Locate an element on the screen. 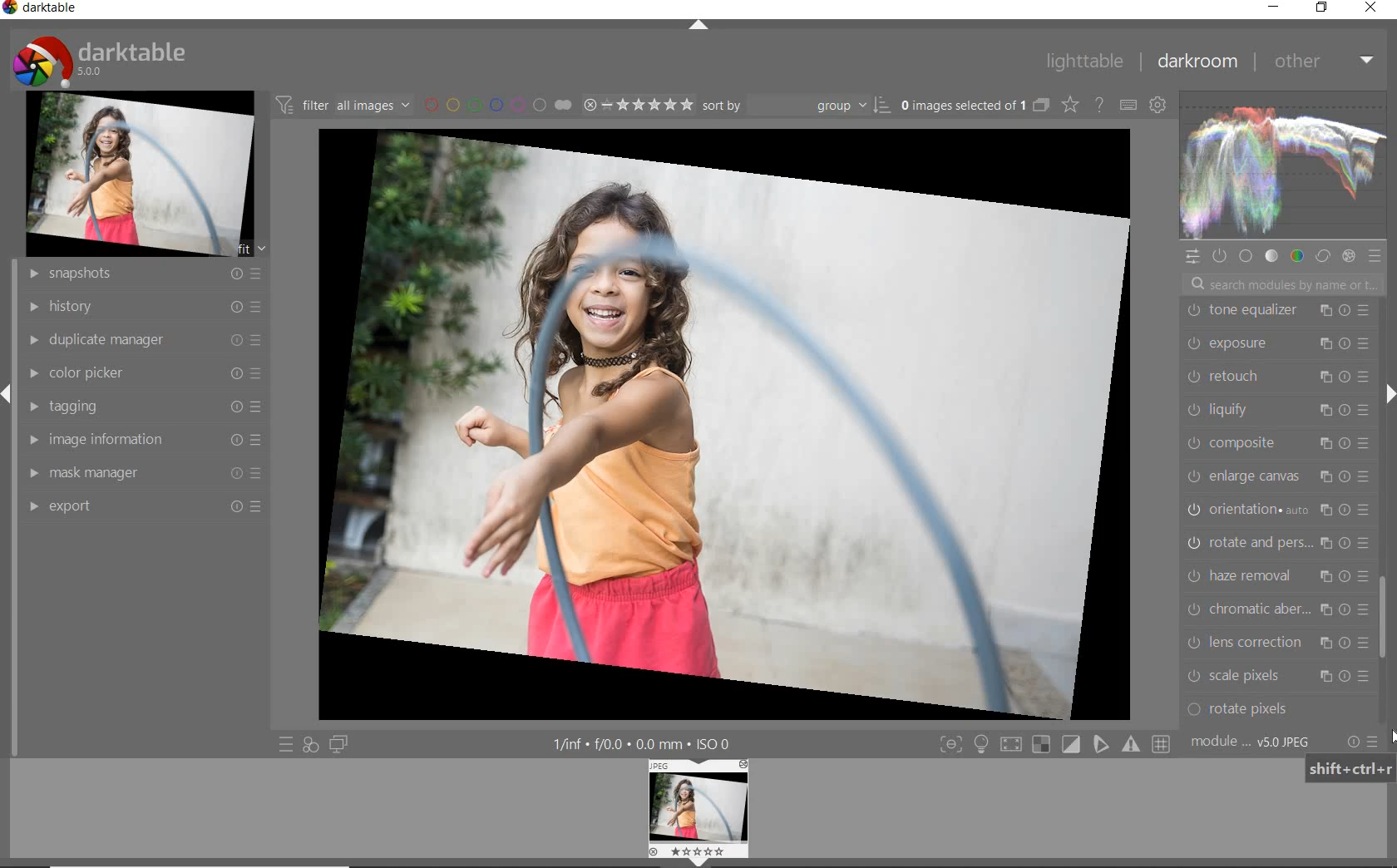 This screenshot has height=868, width=1397. enlarge canvas is located at coordinates (1277, 474).